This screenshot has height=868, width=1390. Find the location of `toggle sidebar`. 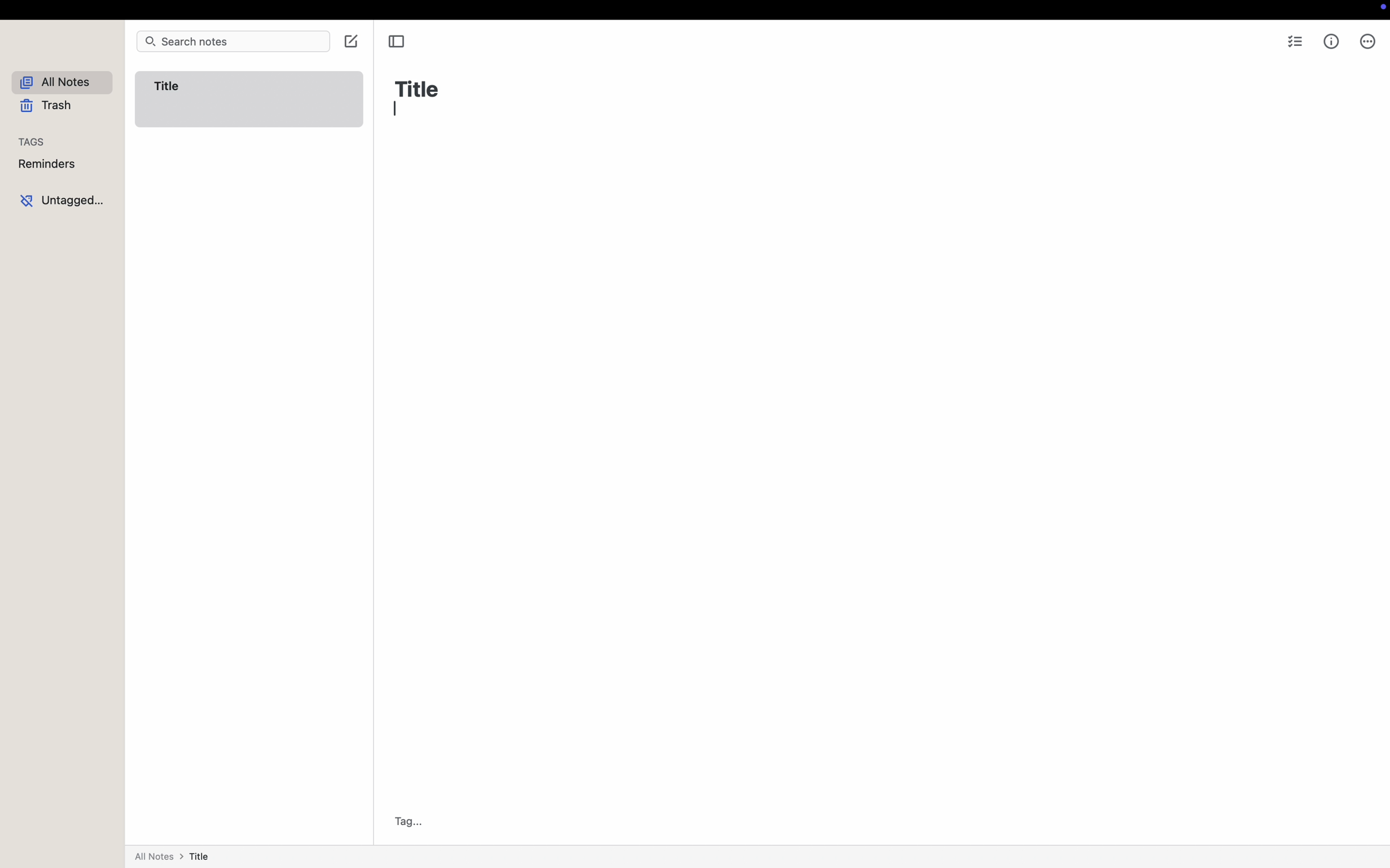

toggle sidebar is located at coordinates (396, 42).